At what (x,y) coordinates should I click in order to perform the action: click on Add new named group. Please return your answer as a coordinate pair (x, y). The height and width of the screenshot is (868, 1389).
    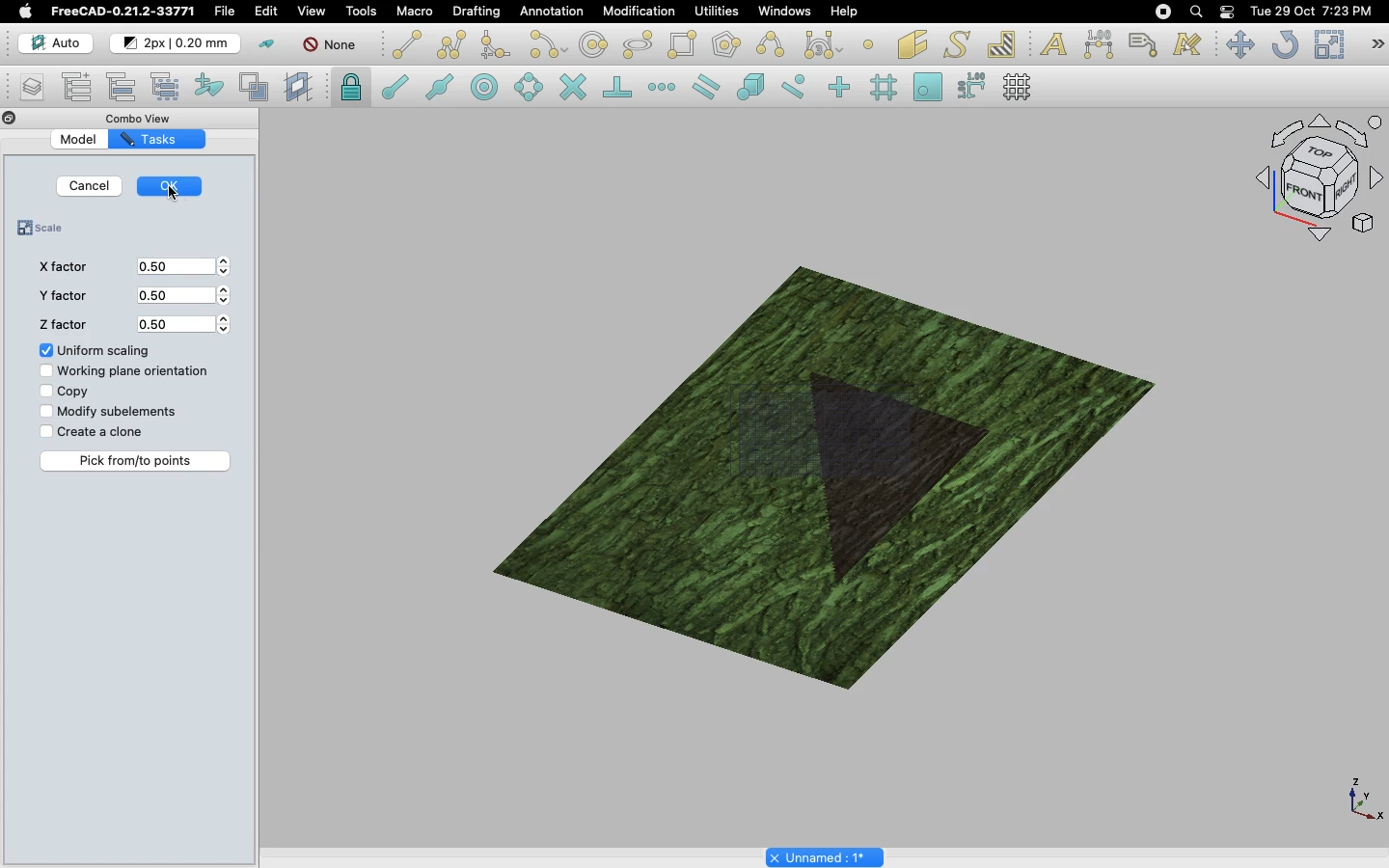
    Looking at the image, I should click on (78, 86).